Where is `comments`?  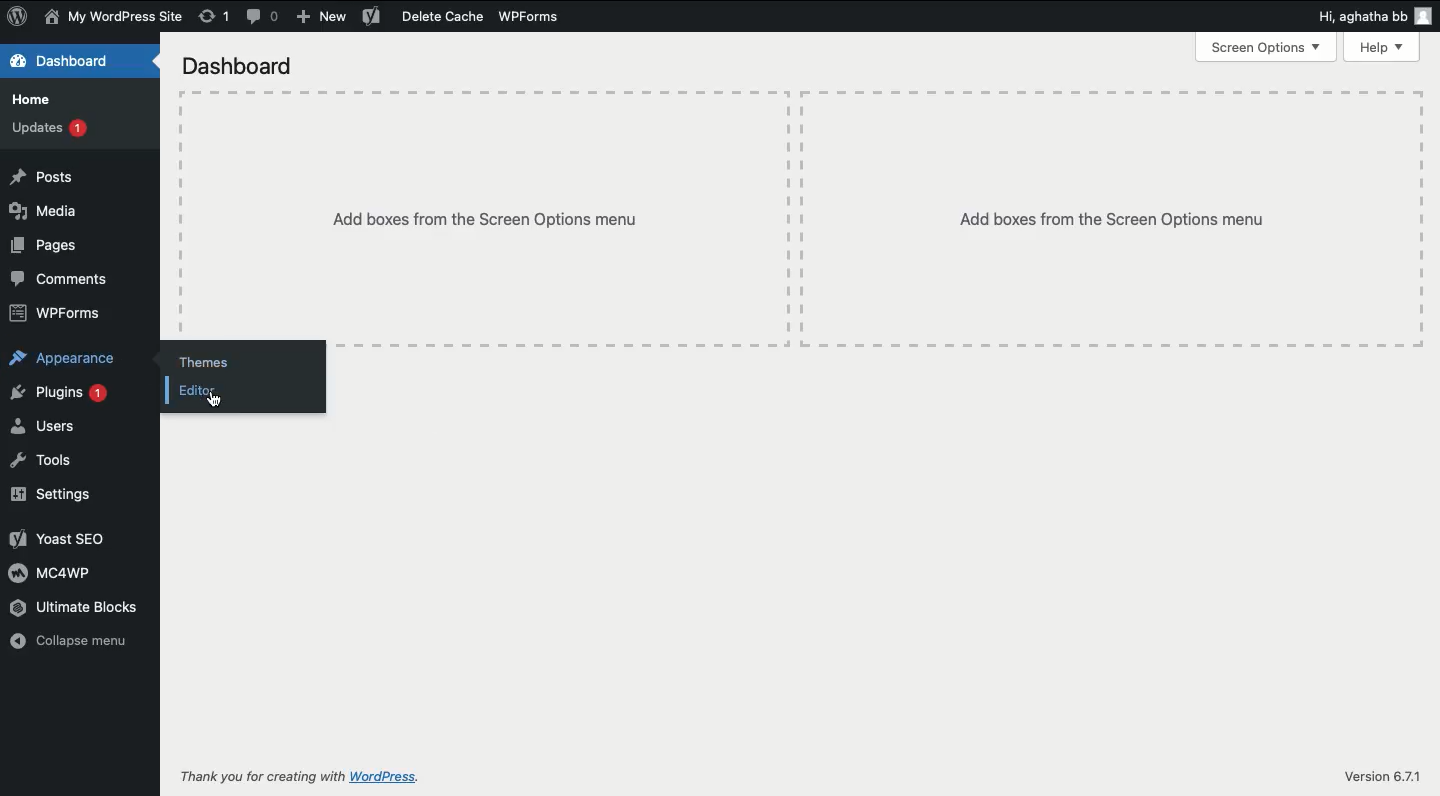
comments is located at coordinates (266, 17).